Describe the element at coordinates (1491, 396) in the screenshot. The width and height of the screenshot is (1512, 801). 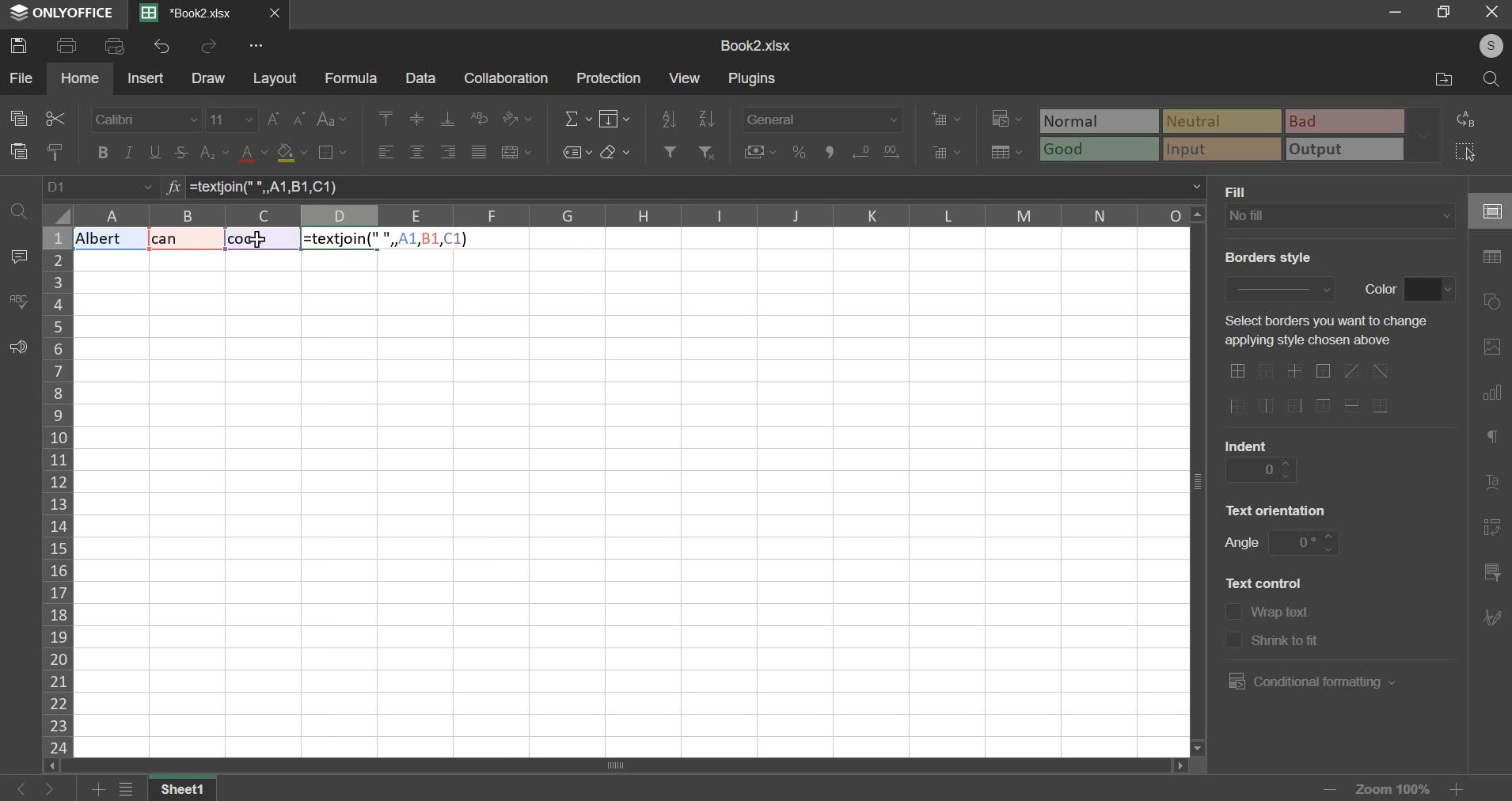
I see `chart` at that location.